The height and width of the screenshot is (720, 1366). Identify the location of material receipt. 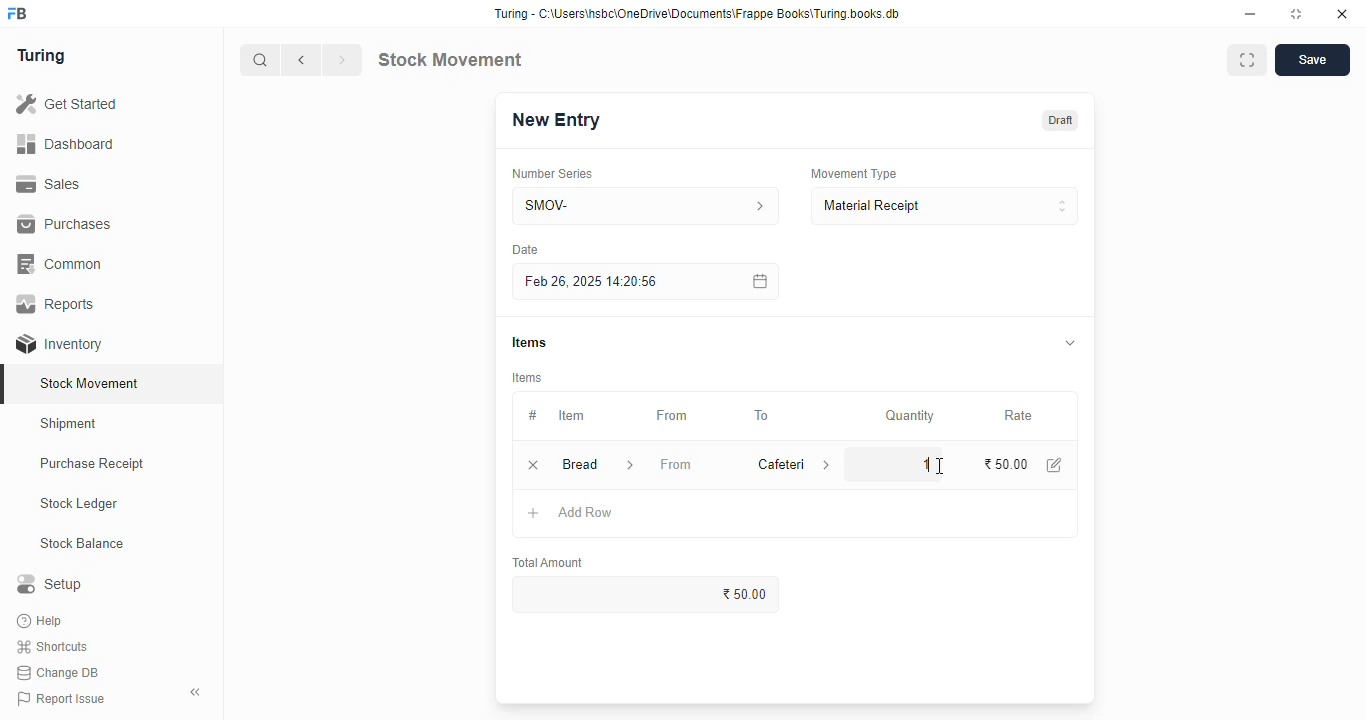
(944, 206).